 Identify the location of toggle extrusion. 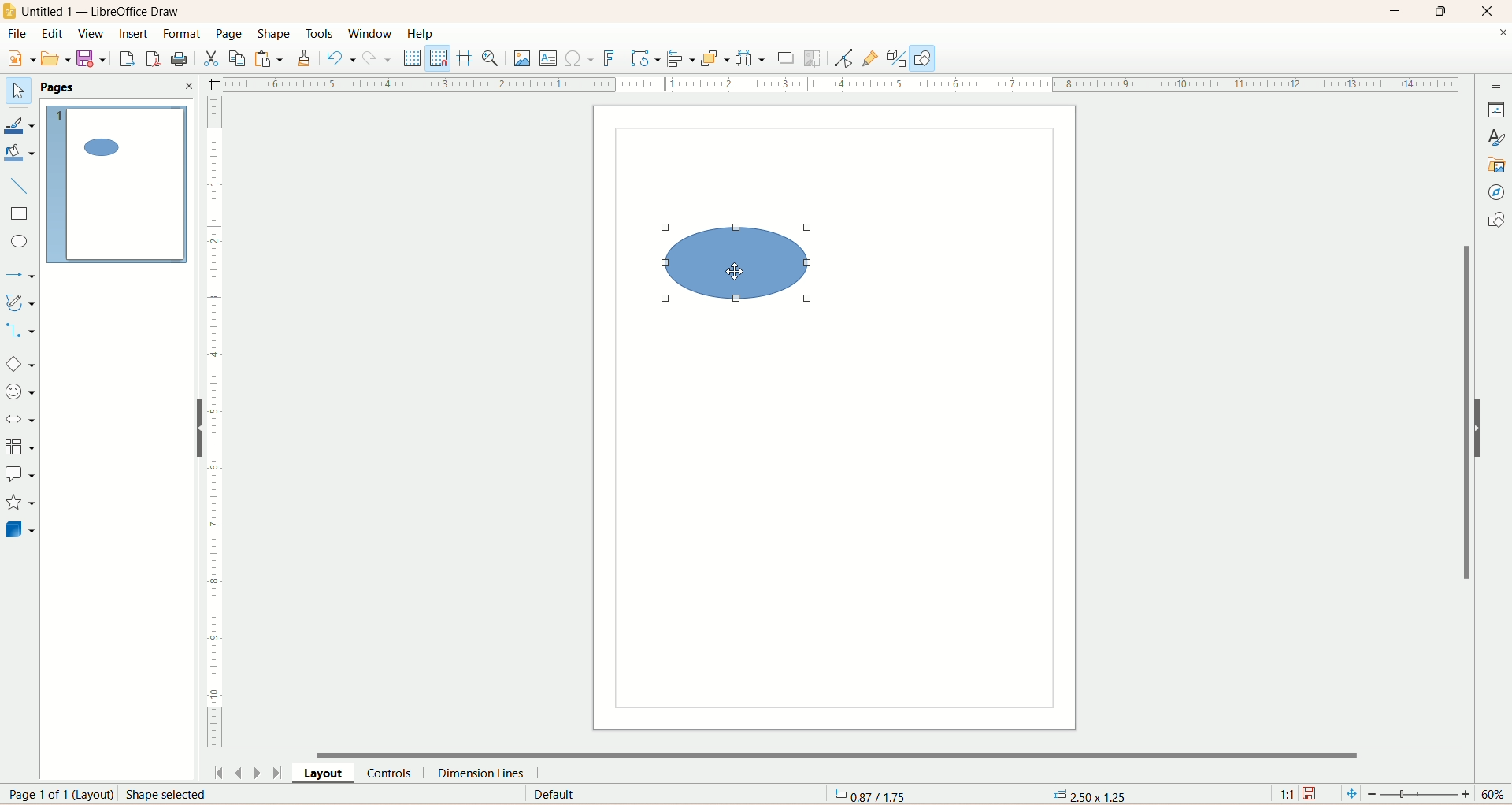
(899, 59).